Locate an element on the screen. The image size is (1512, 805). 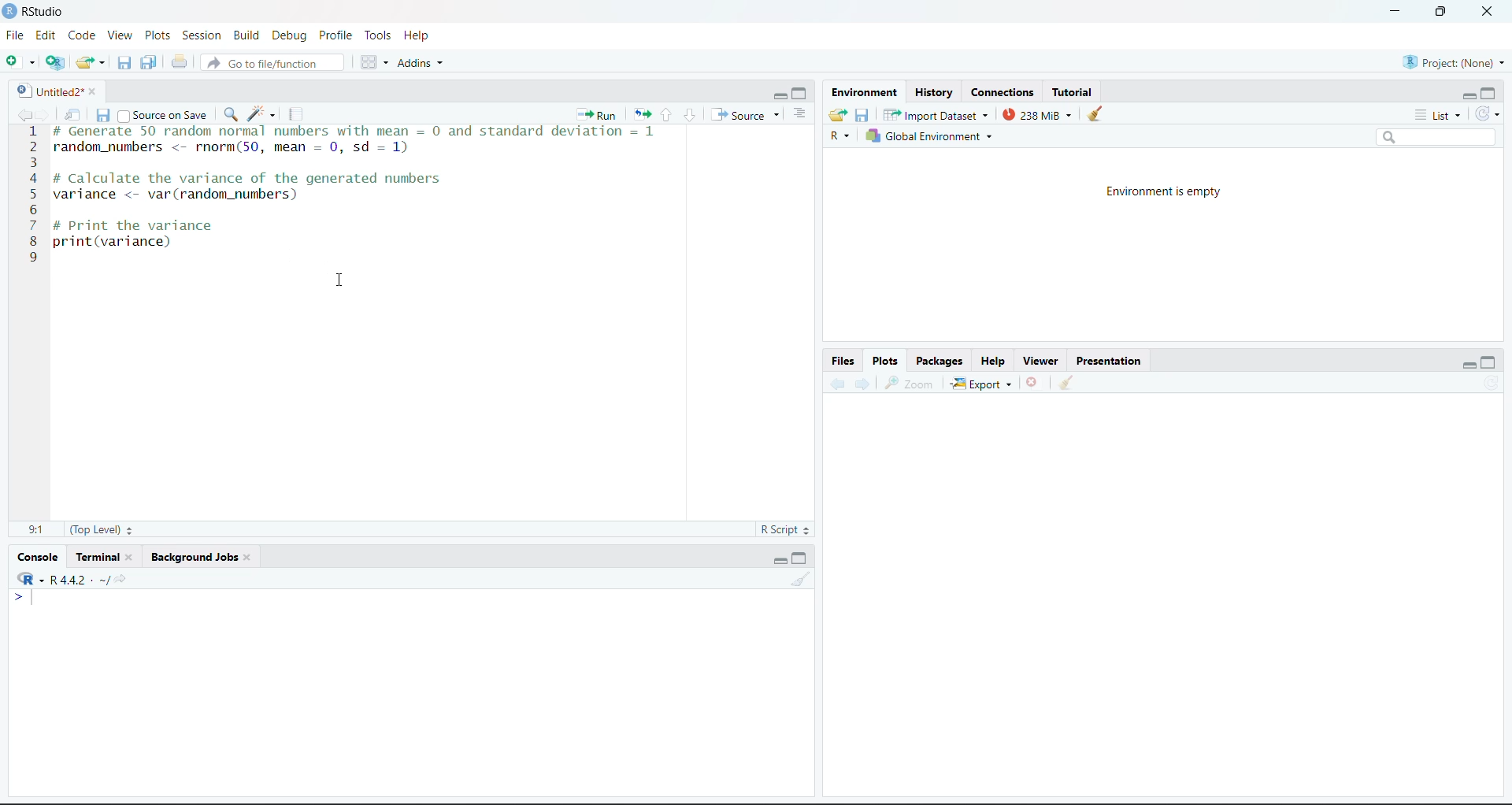
Packages is located at coordinates (940, 361).